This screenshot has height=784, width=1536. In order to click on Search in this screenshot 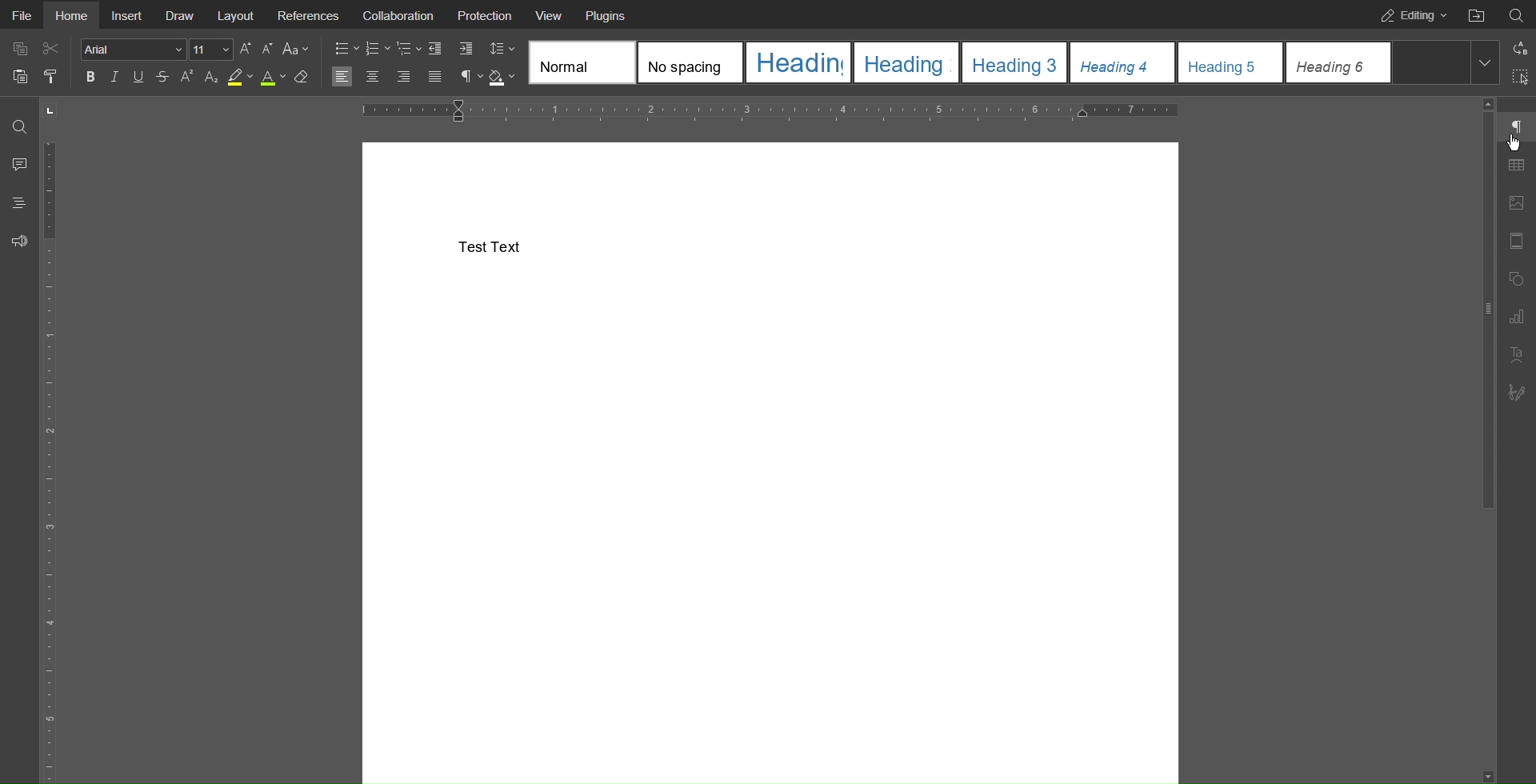, I will do `click(1516, 13)`.